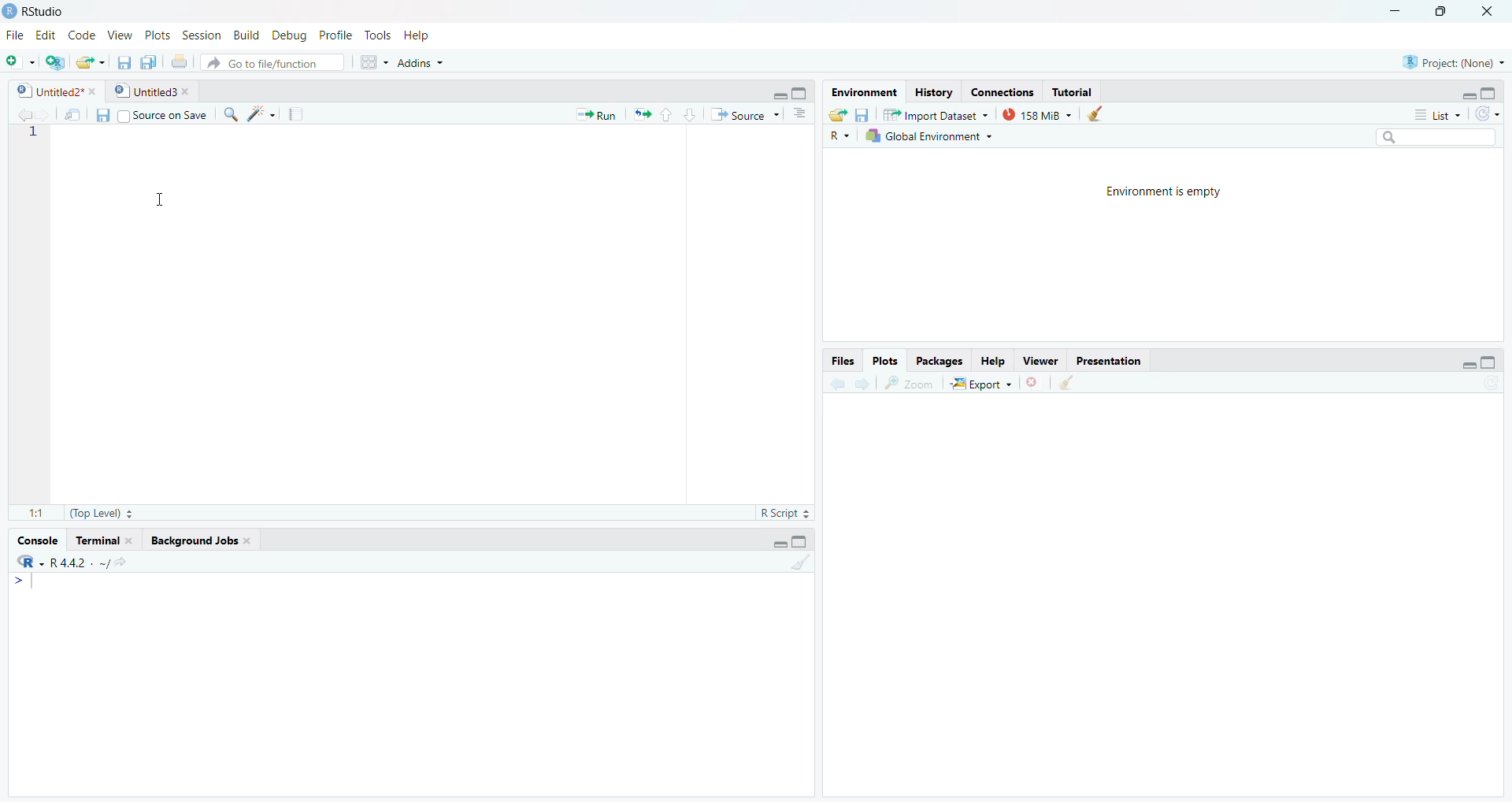  Describe the element at coordinates (102, 114) in the screenshot. I see `Save current document` at that location.